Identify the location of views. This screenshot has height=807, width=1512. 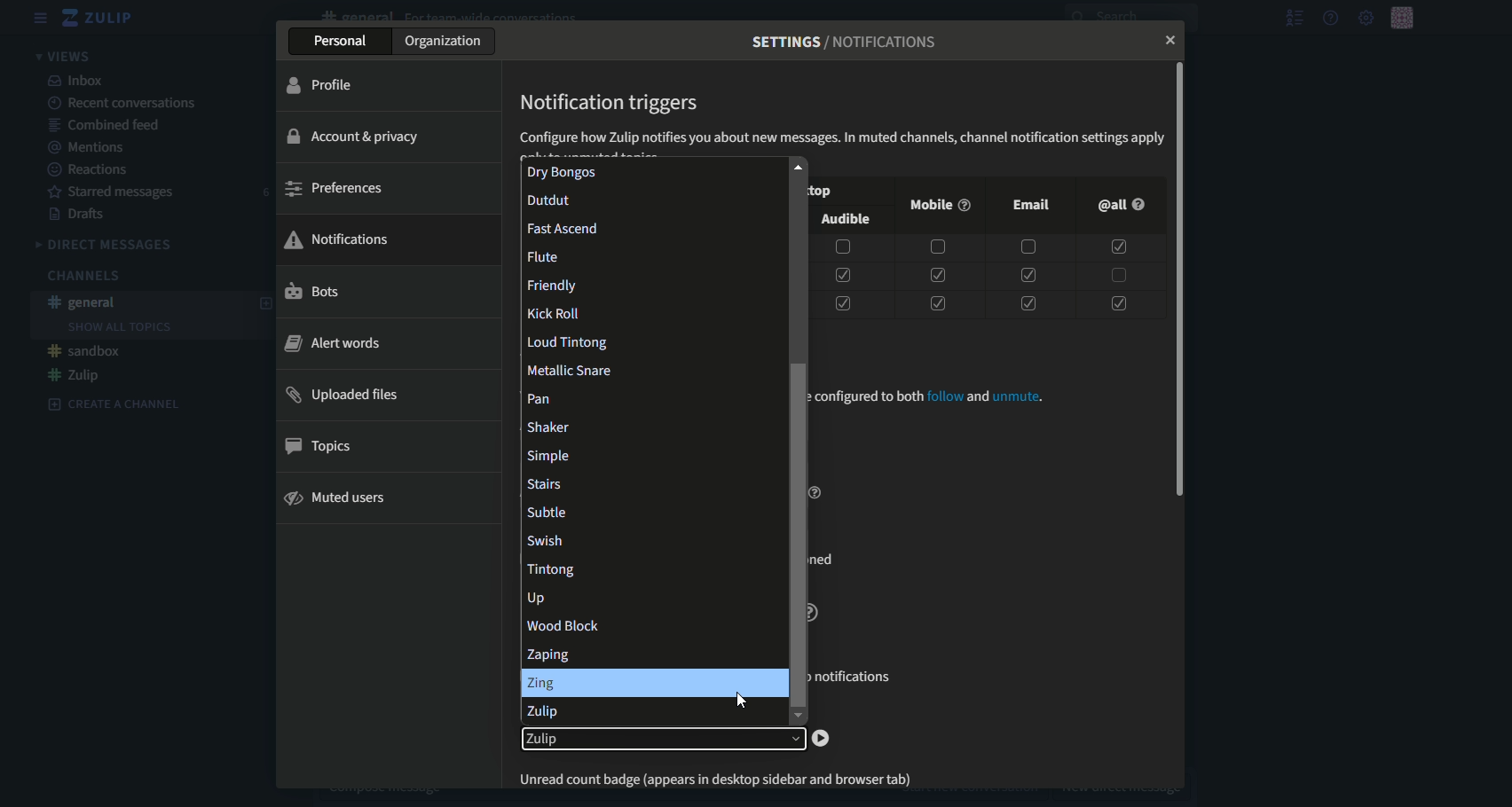
(67, 55).